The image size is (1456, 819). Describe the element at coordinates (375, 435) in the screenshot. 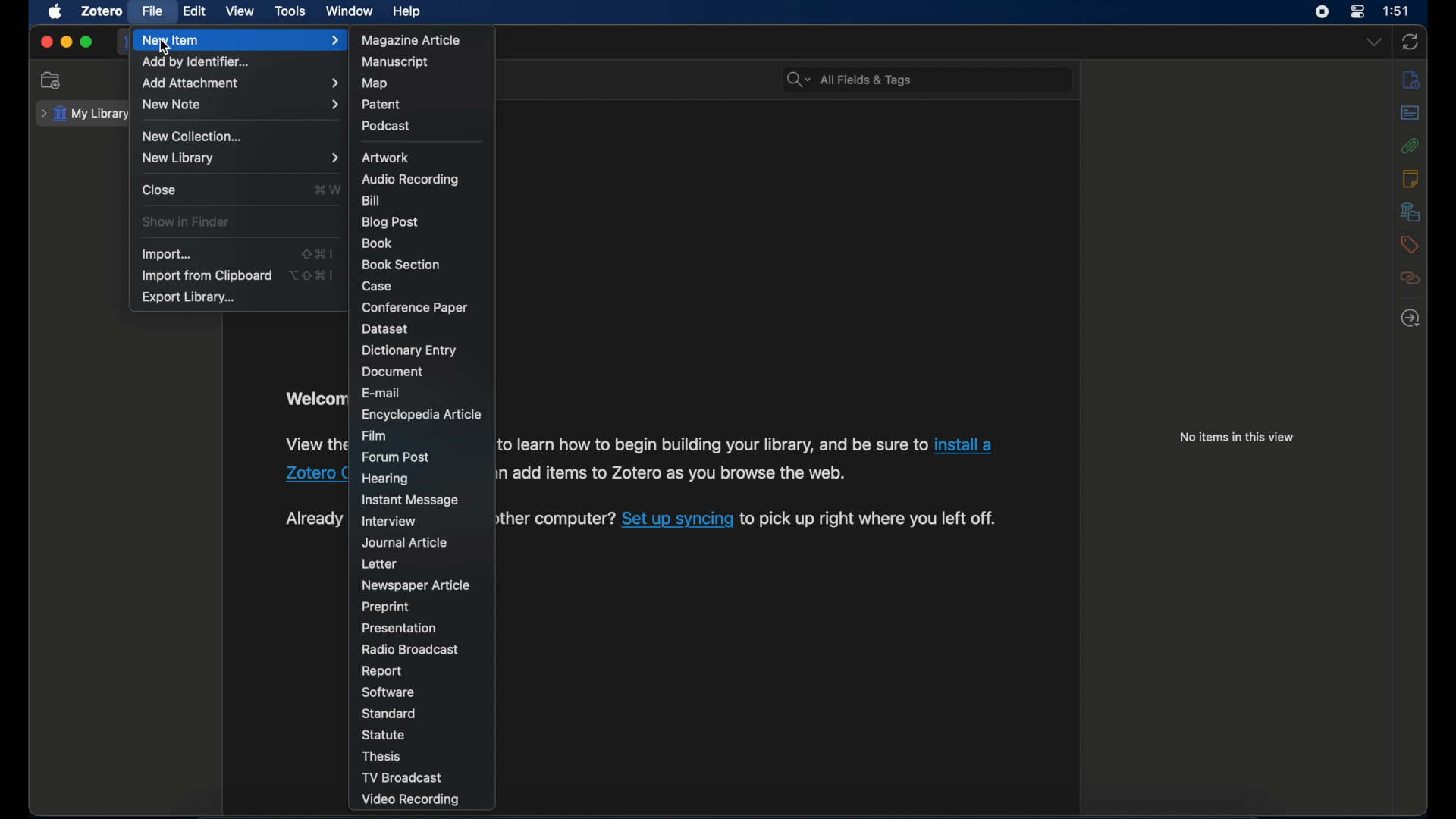

I see `film` at that location.